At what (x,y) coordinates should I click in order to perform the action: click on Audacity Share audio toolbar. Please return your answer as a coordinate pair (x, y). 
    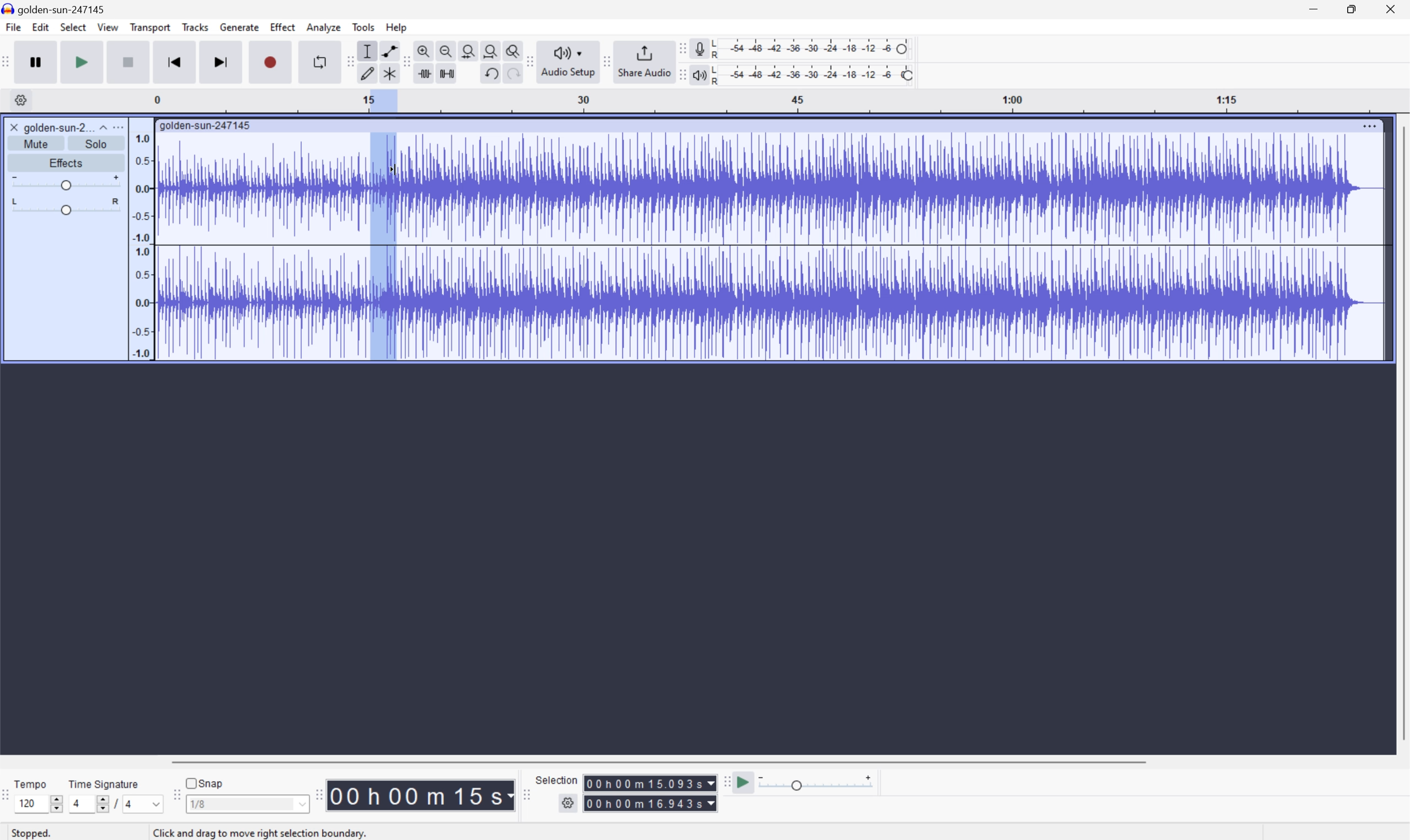
    Looking at the image, I should click on (607, 60).